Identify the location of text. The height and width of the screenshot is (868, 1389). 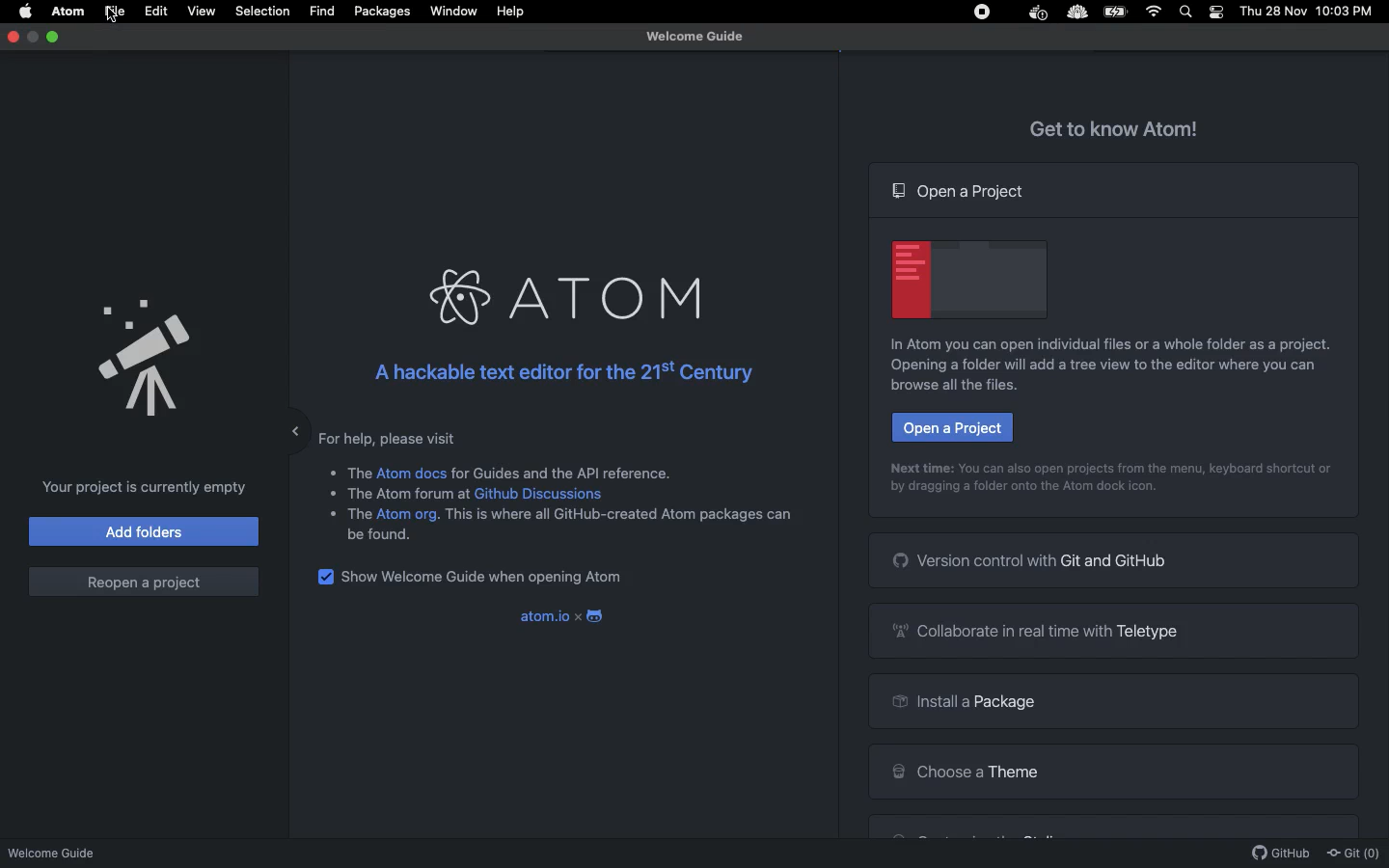
(619, 520).